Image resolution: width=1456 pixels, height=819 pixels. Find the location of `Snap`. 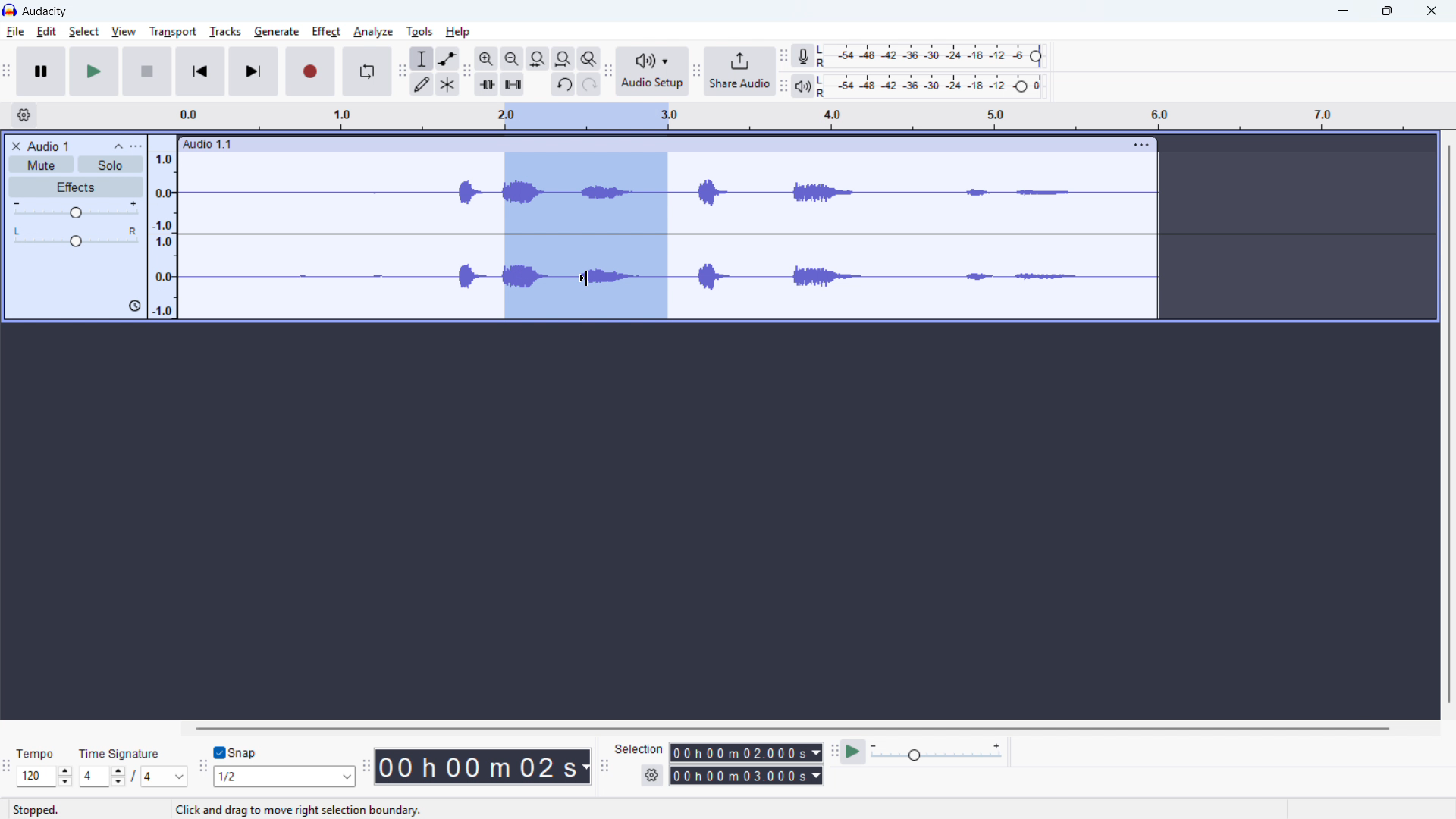

Snap is located at coordinates (238, 752).